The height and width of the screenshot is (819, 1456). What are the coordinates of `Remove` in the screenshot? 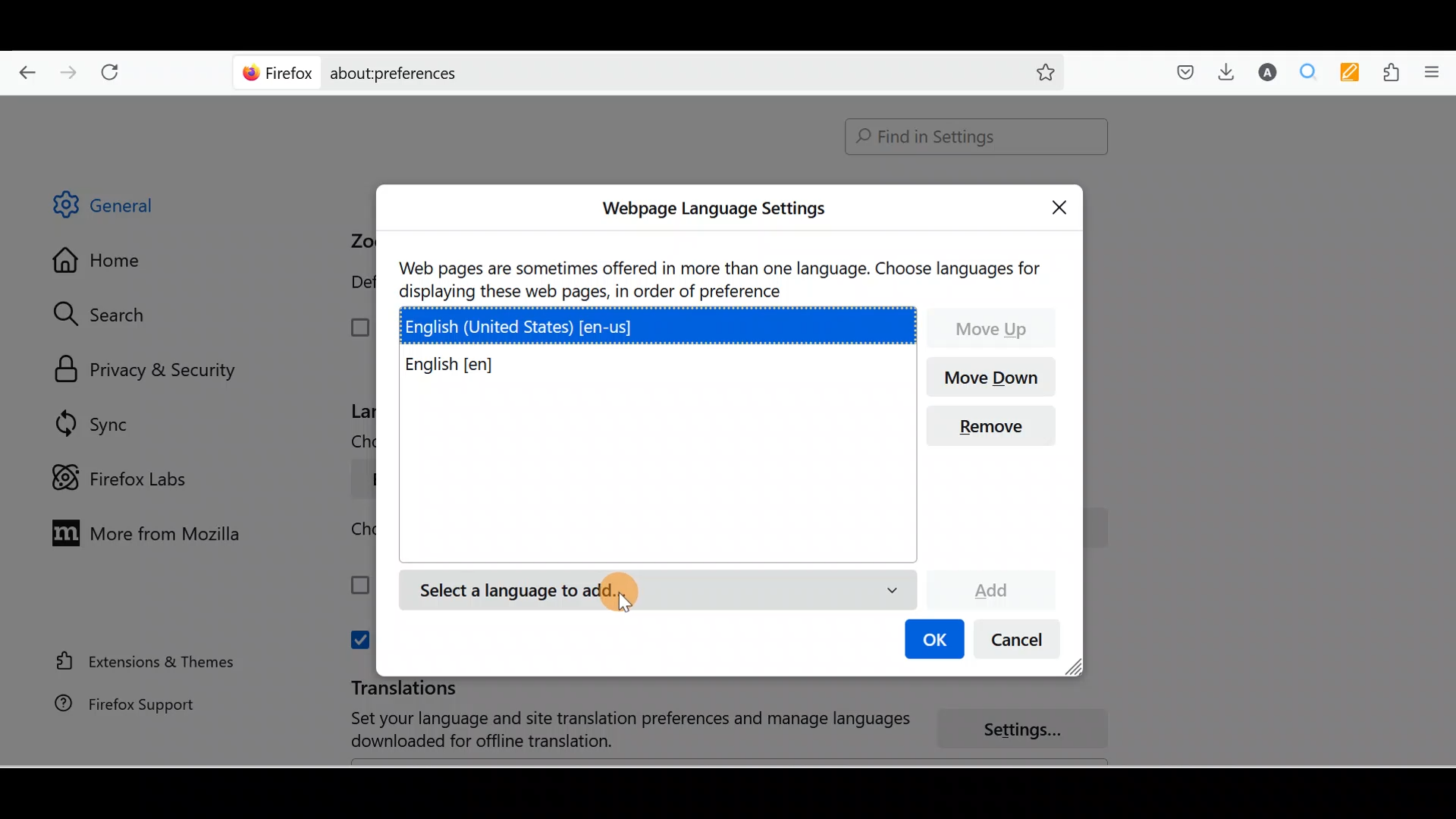 It's located at (998, 426).